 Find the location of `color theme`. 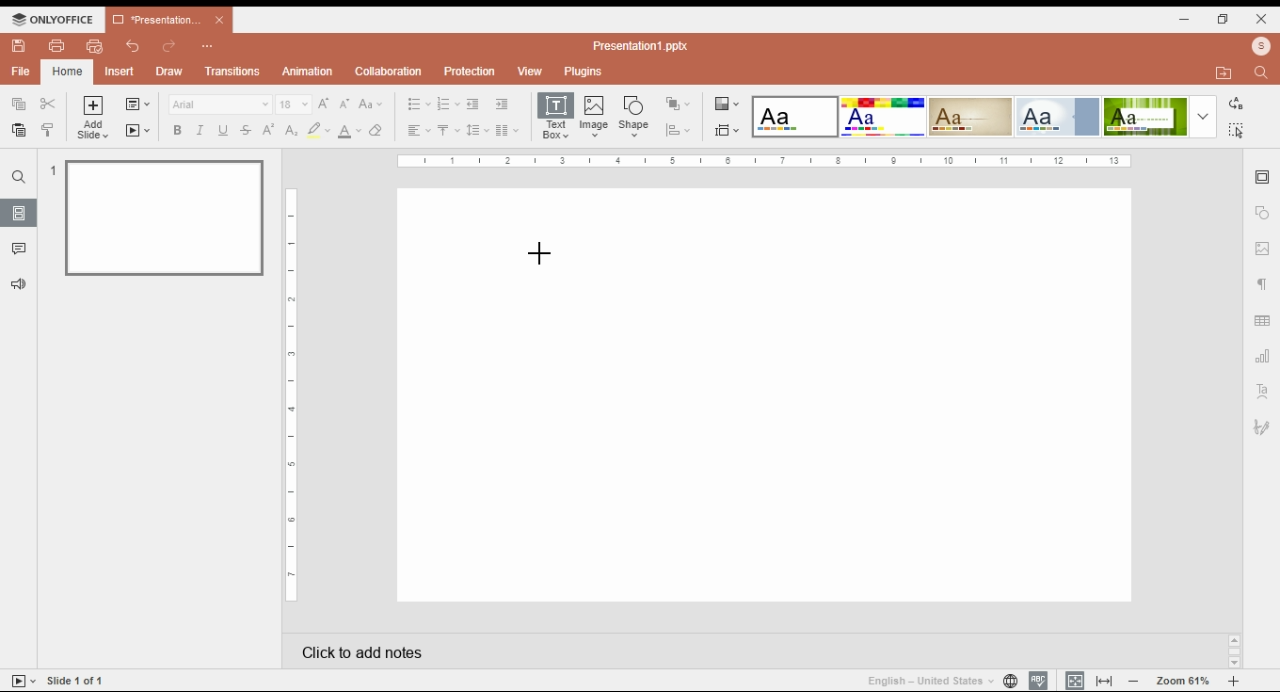

color theme is located at coordinates (971, 116).